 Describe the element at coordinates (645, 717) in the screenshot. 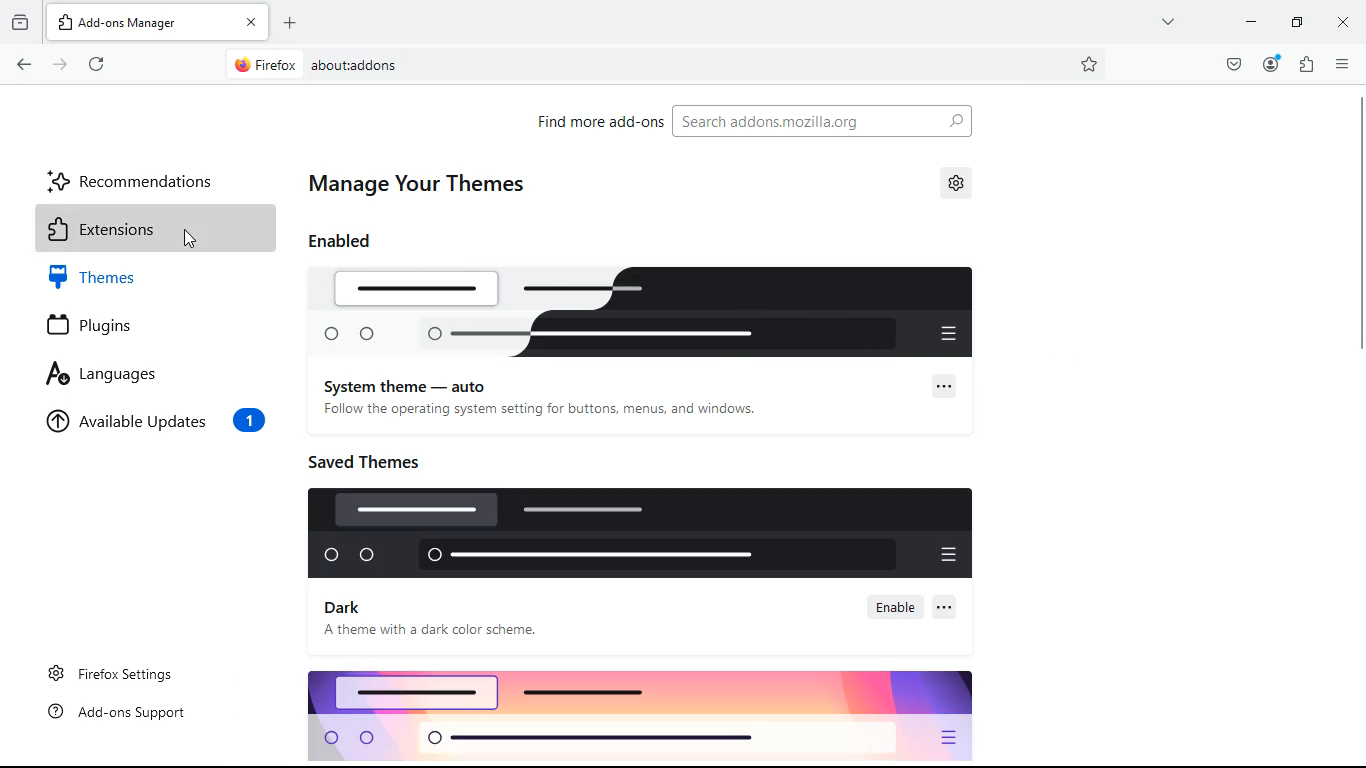

I see `theme` at that location.